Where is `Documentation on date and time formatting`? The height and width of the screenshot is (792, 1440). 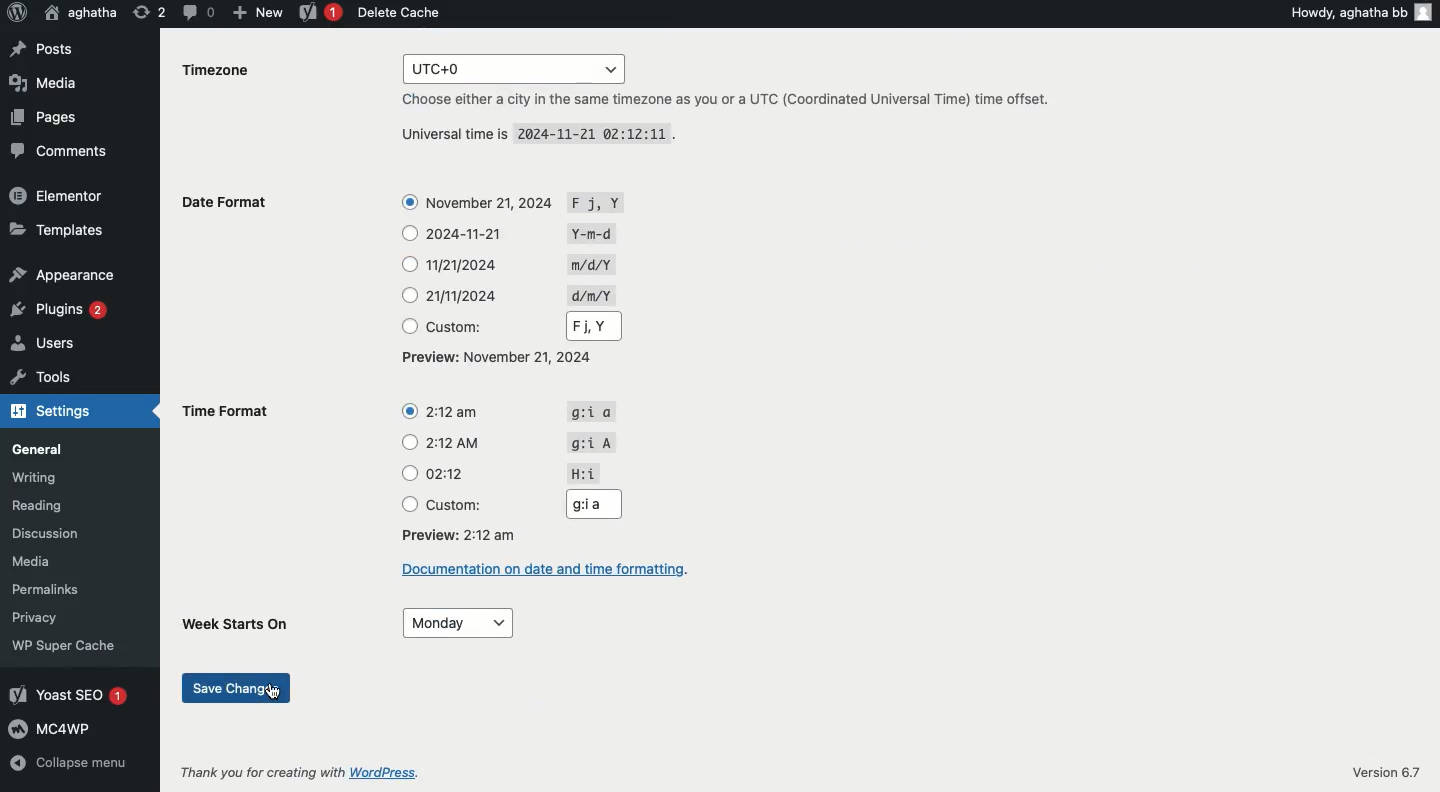 Documentation on date and time formatting is located at coordinates (546, 570).